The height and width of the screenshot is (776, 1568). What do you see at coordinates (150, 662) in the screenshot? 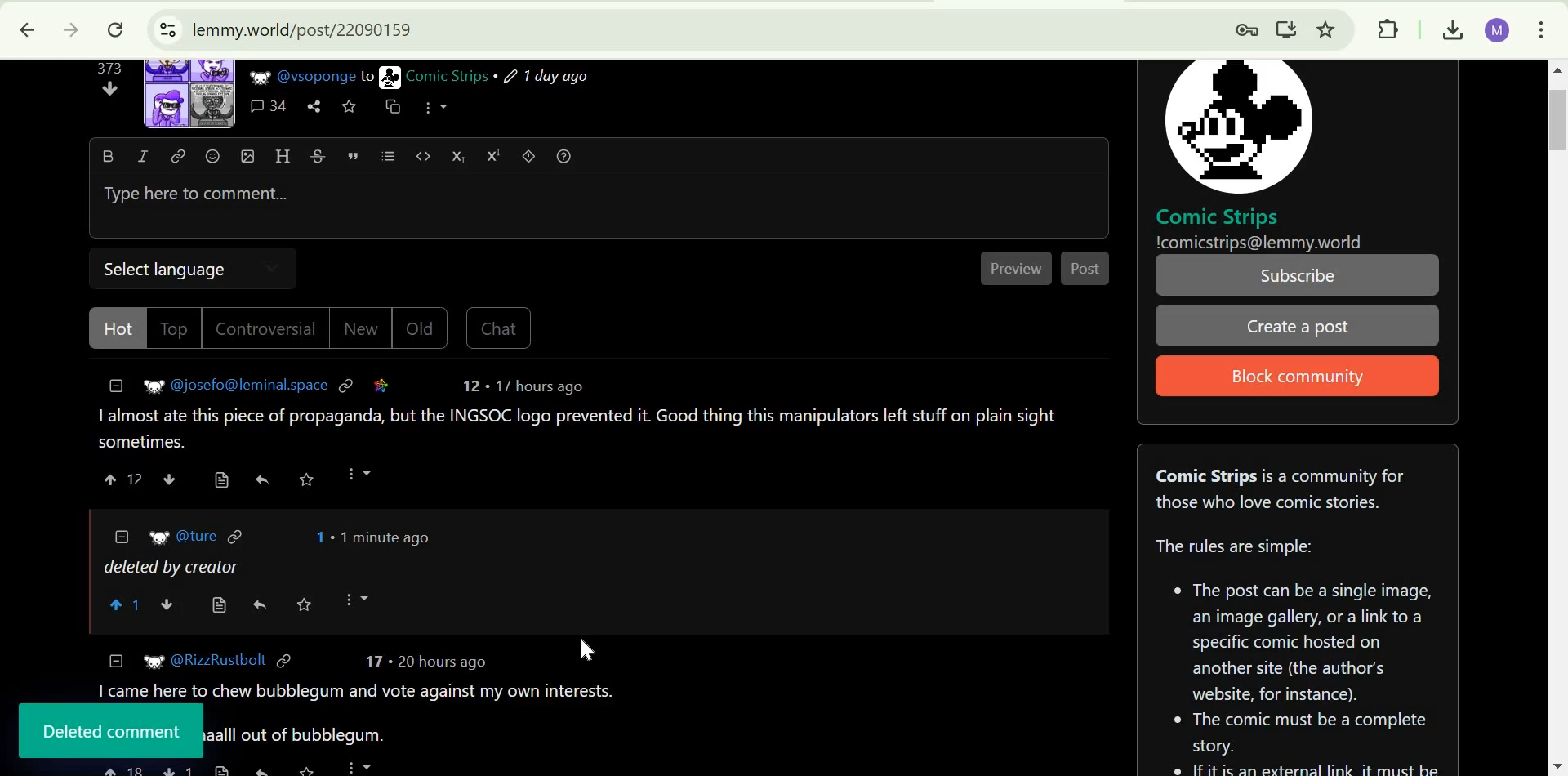
I see `picture` at bounding box center [150, 662].